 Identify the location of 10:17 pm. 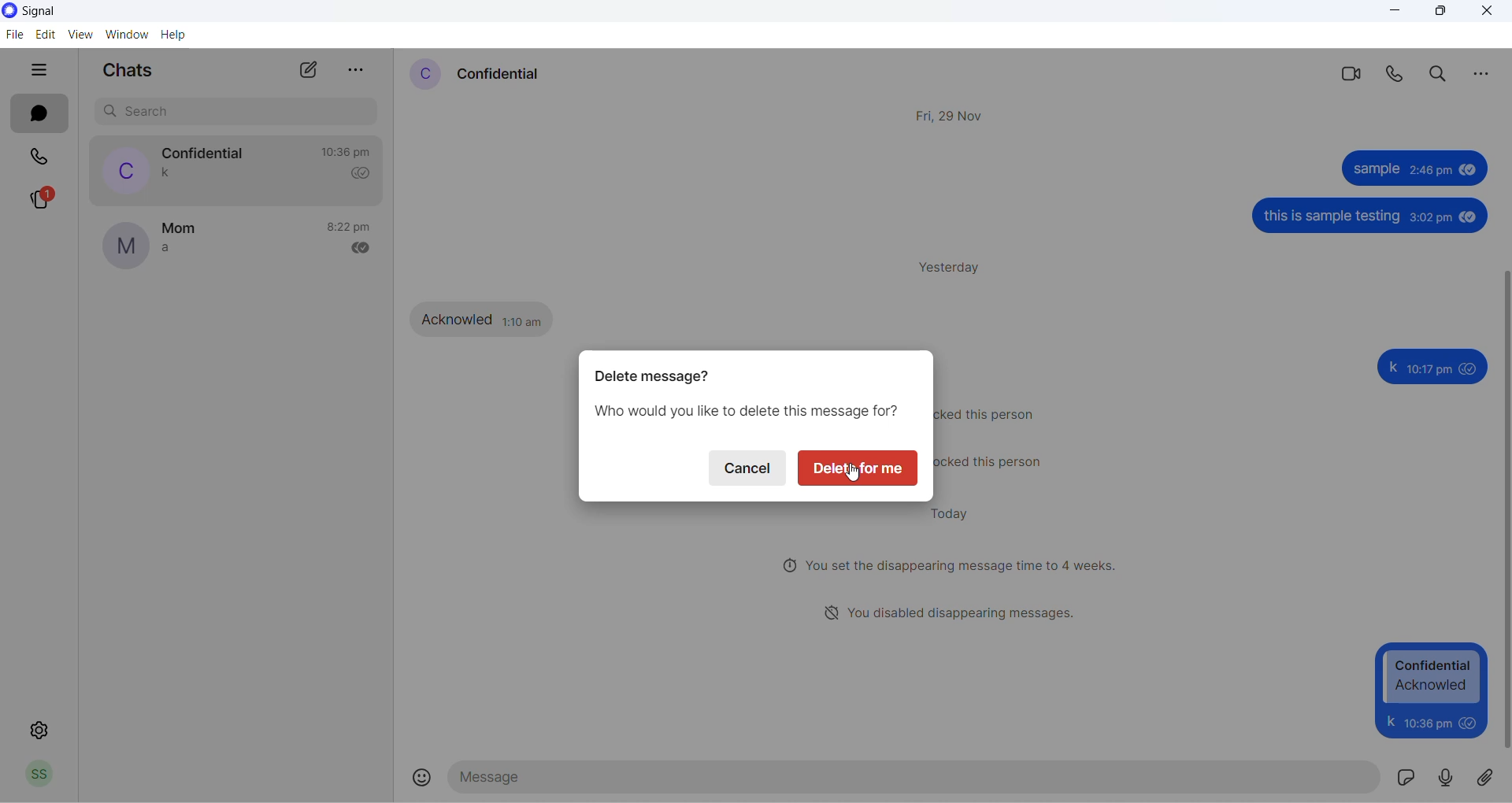
(1429, 367).